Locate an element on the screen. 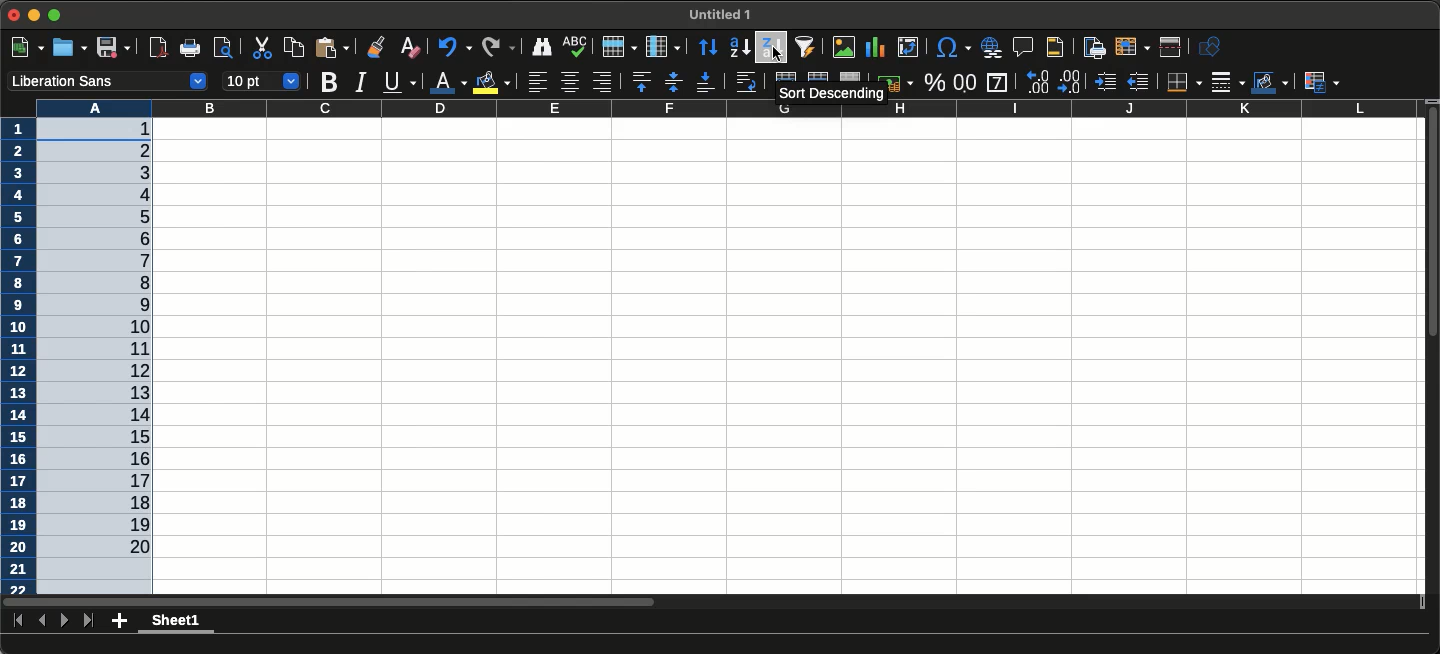 The height and width of the screenshot is (654, 1440). Delete decimal place is located at coordinates (1037, 81).